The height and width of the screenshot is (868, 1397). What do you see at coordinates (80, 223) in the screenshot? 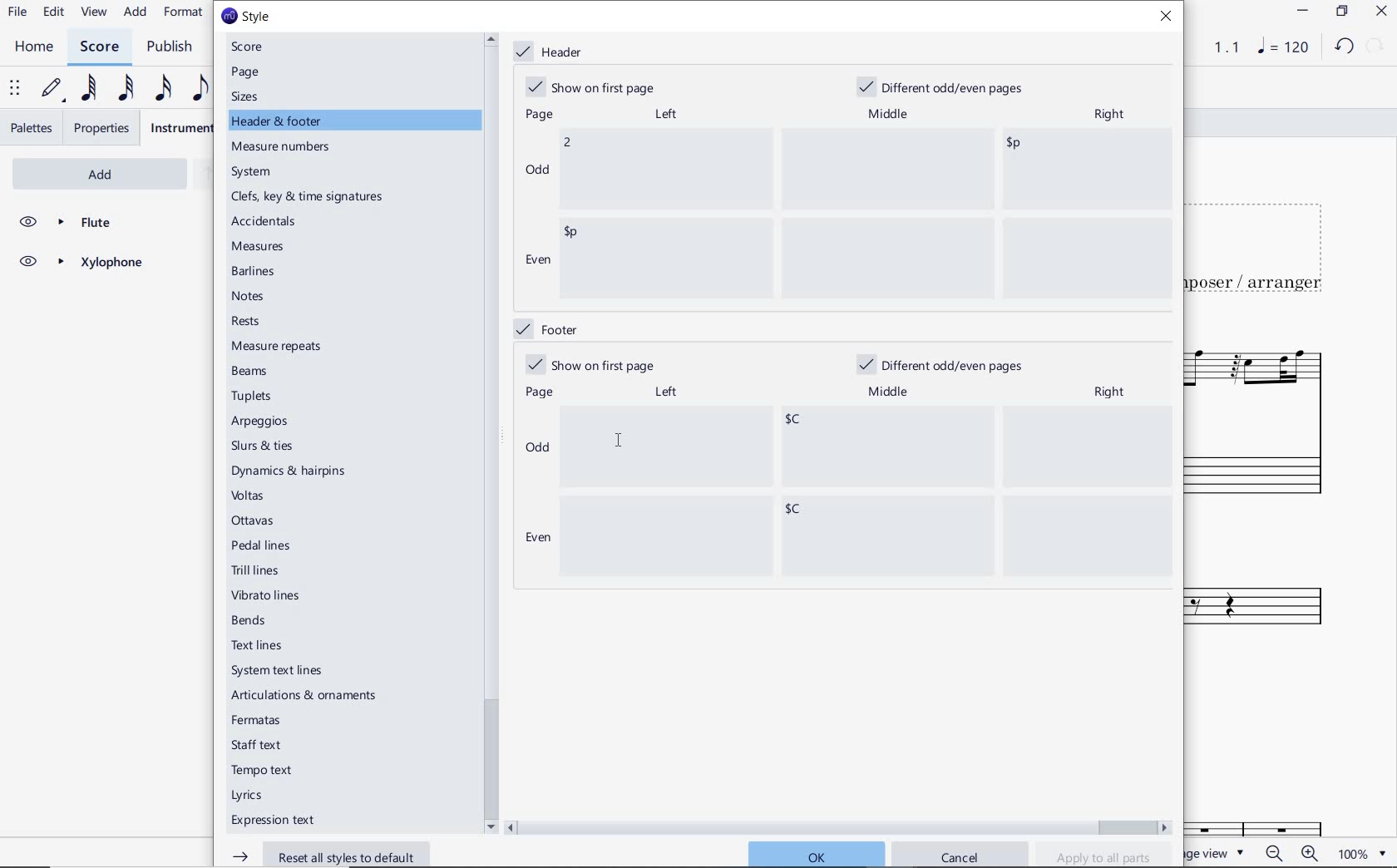
I see `FLUTE` at bounding box center [80, 223].